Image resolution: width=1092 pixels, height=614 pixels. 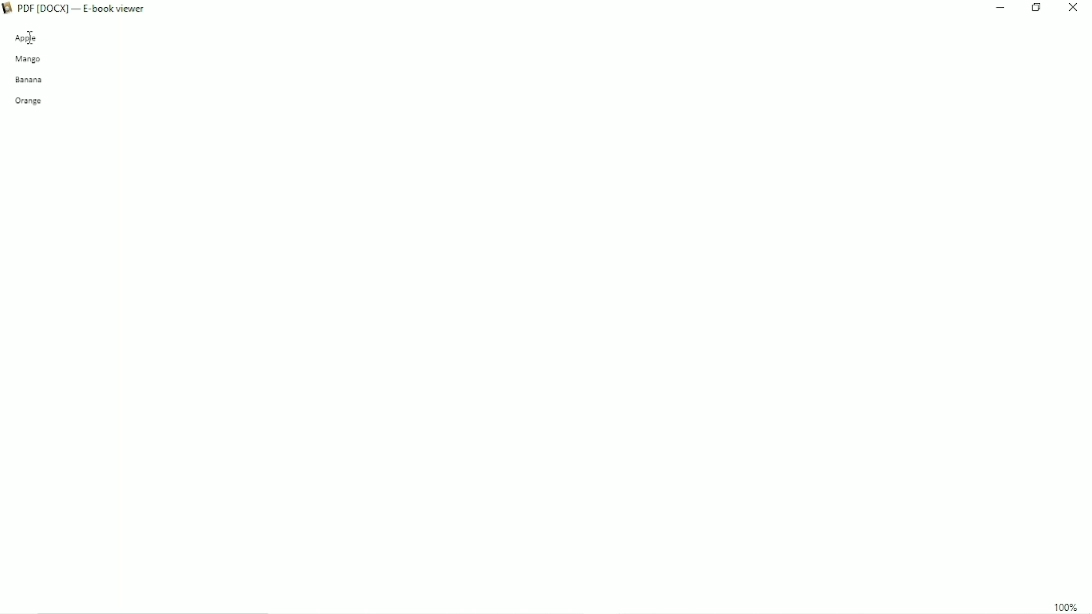 What do you see at coordinates (31, 38) in the screenshot?
I see `text cursor` at bounding box center [31, 38].